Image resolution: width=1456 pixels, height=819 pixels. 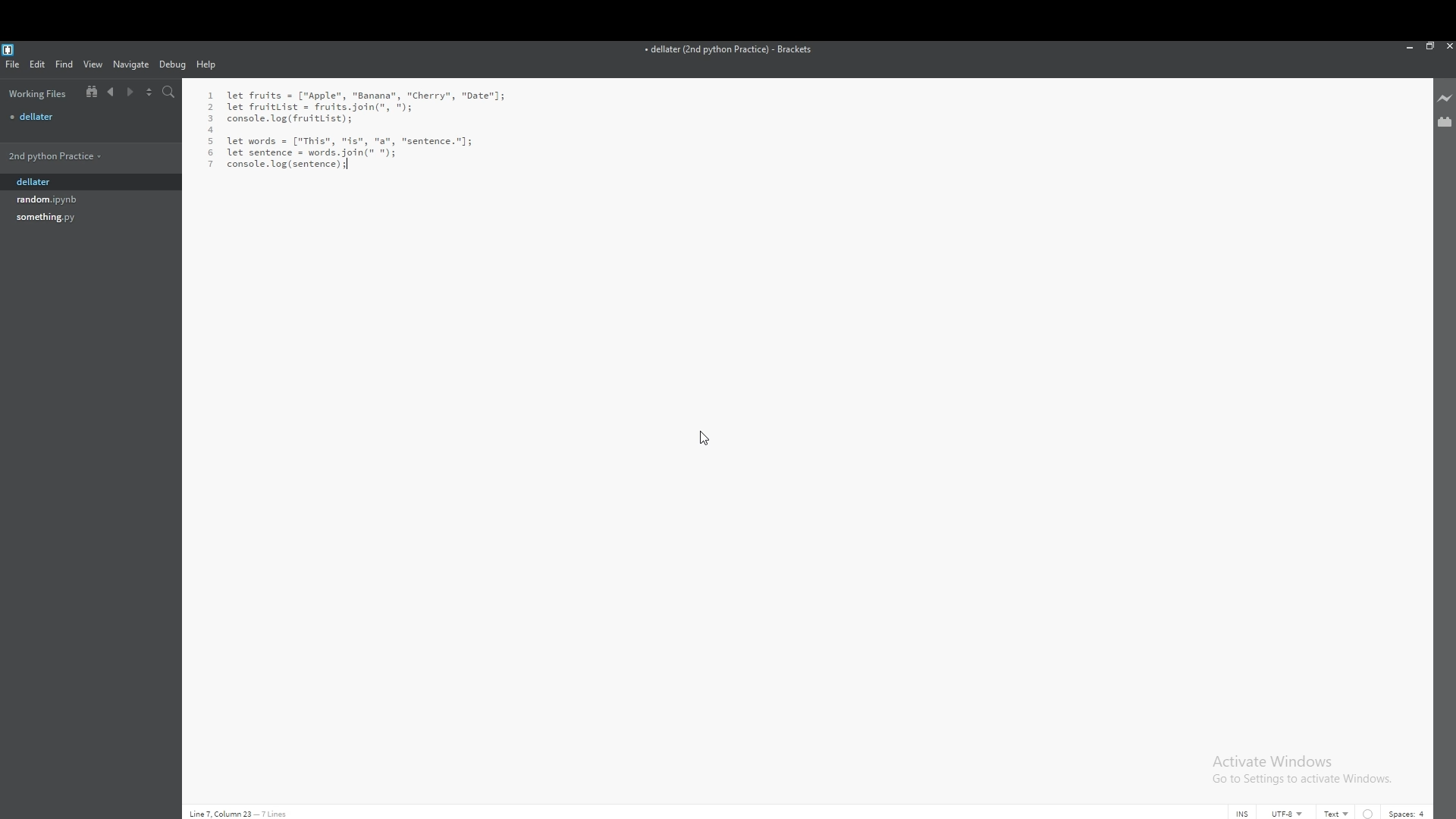 What do you see at coordinates (1304, 770) in the screenshot?
I see `Activate Windows
Go to Settings to activate Windows.` at bounding box center [1304, 770].